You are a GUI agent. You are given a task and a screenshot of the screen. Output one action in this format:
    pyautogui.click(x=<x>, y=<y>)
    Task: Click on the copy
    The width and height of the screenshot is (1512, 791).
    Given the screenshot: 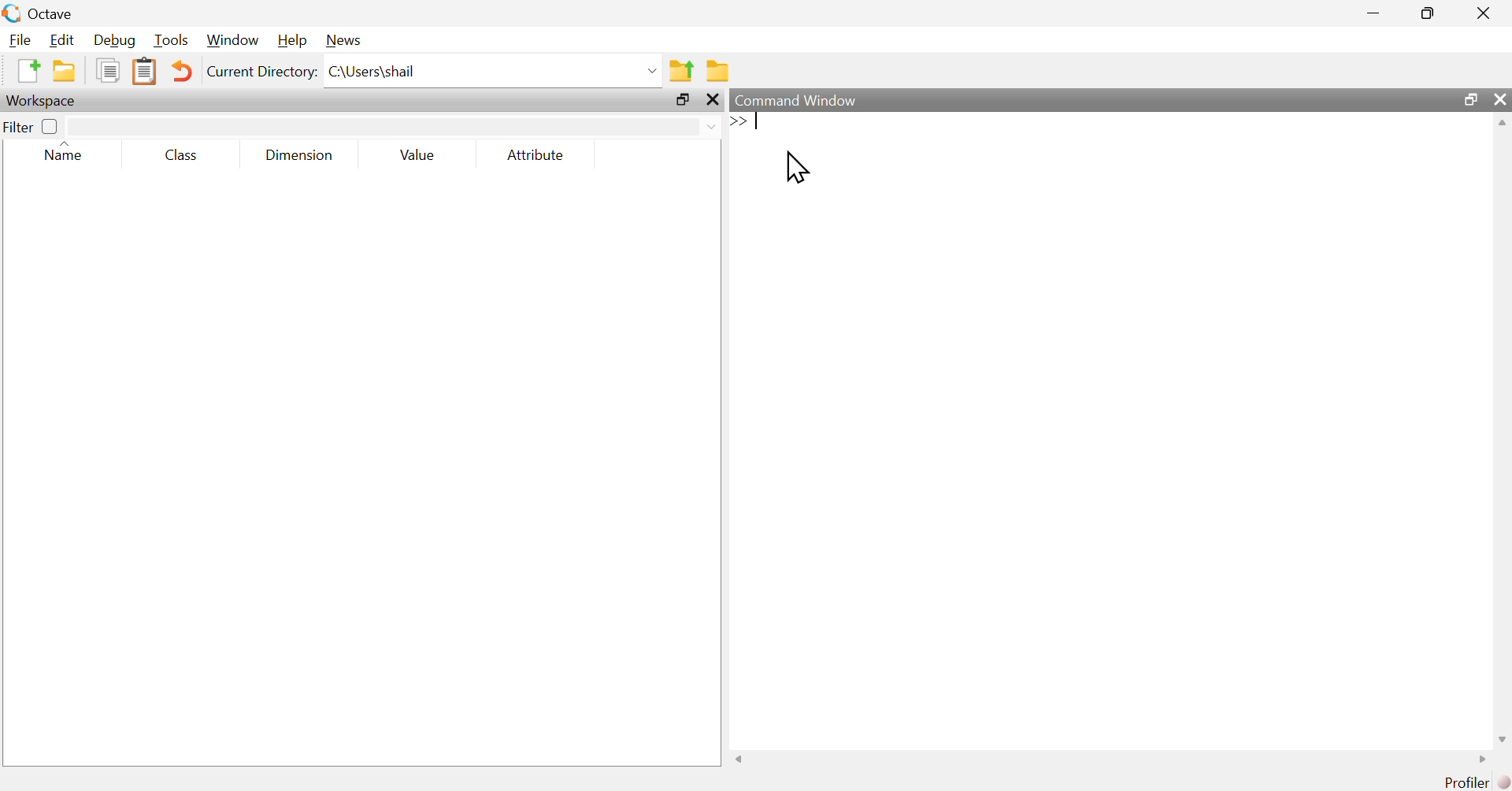 What is the action you would take?
    pyautogui.click(x=107, y=71)
    